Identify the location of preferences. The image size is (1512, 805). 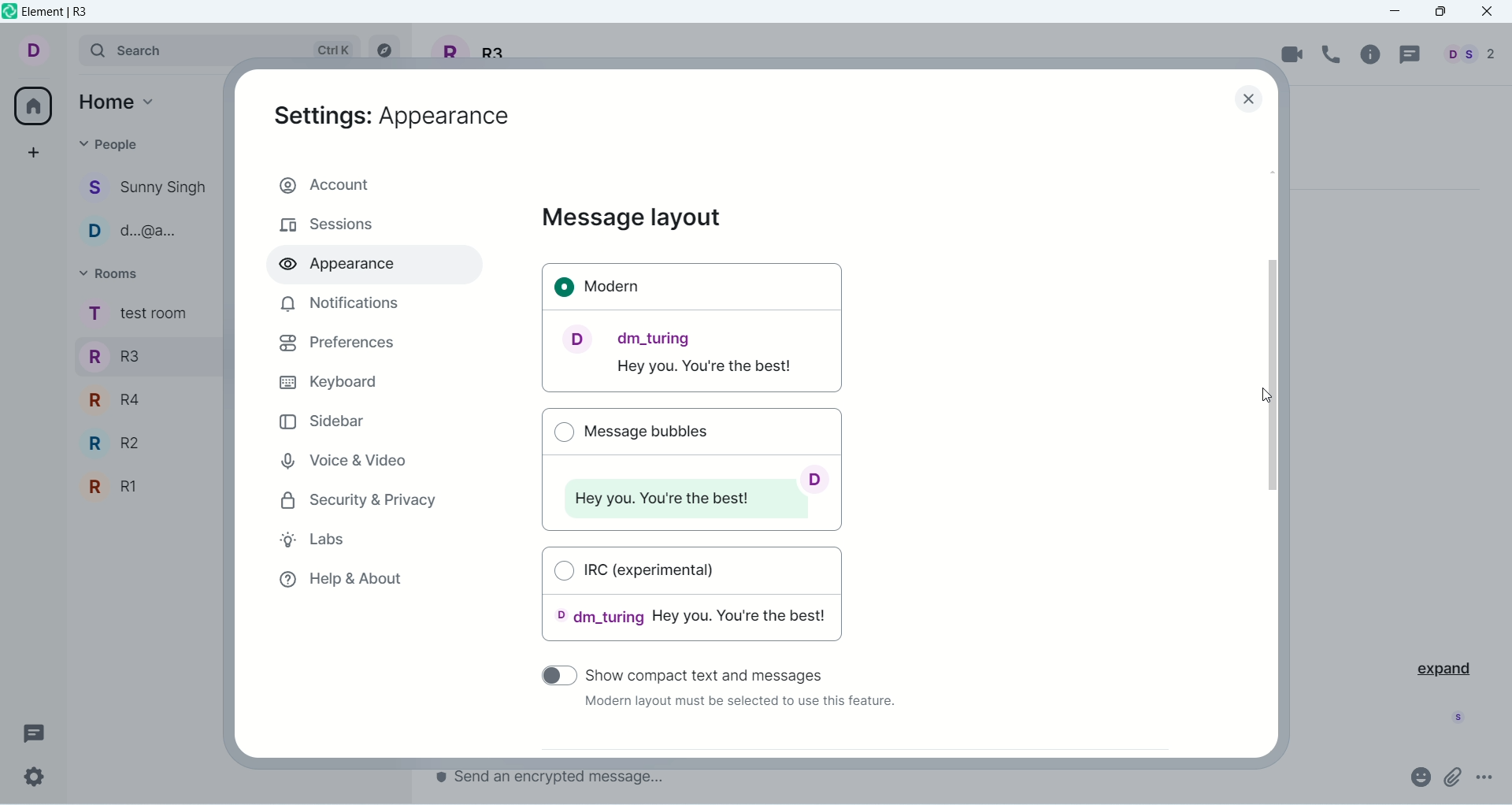
(337, 343).